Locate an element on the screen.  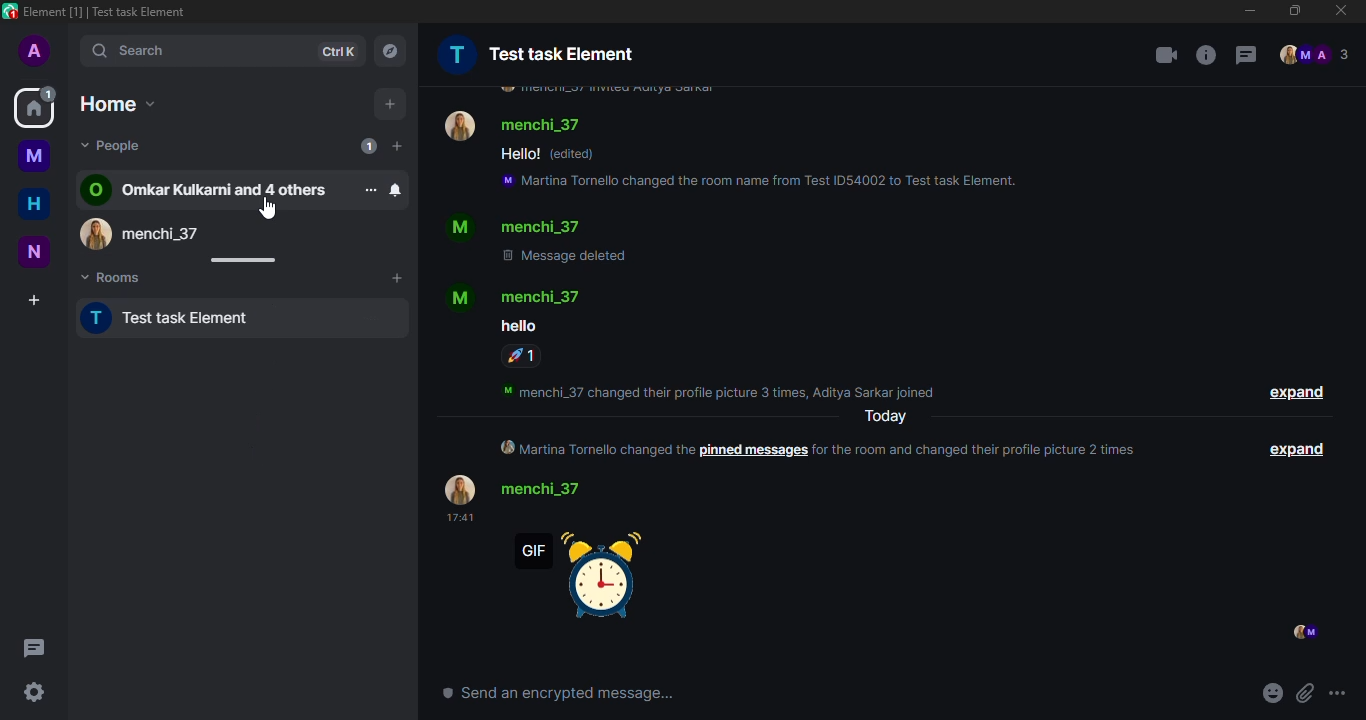
threads is located at coordinates (37, 649).